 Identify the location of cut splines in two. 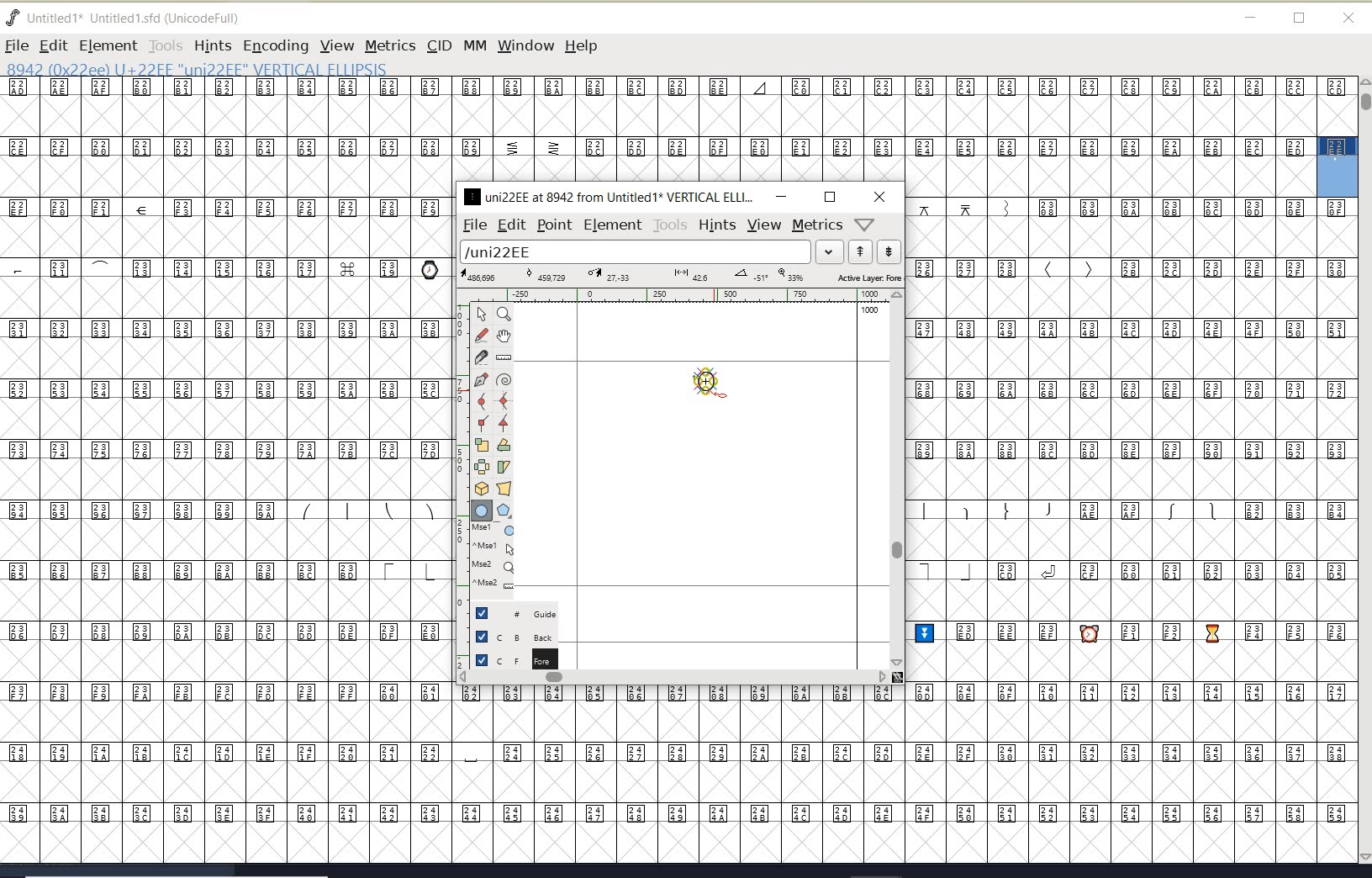
(481, 357).